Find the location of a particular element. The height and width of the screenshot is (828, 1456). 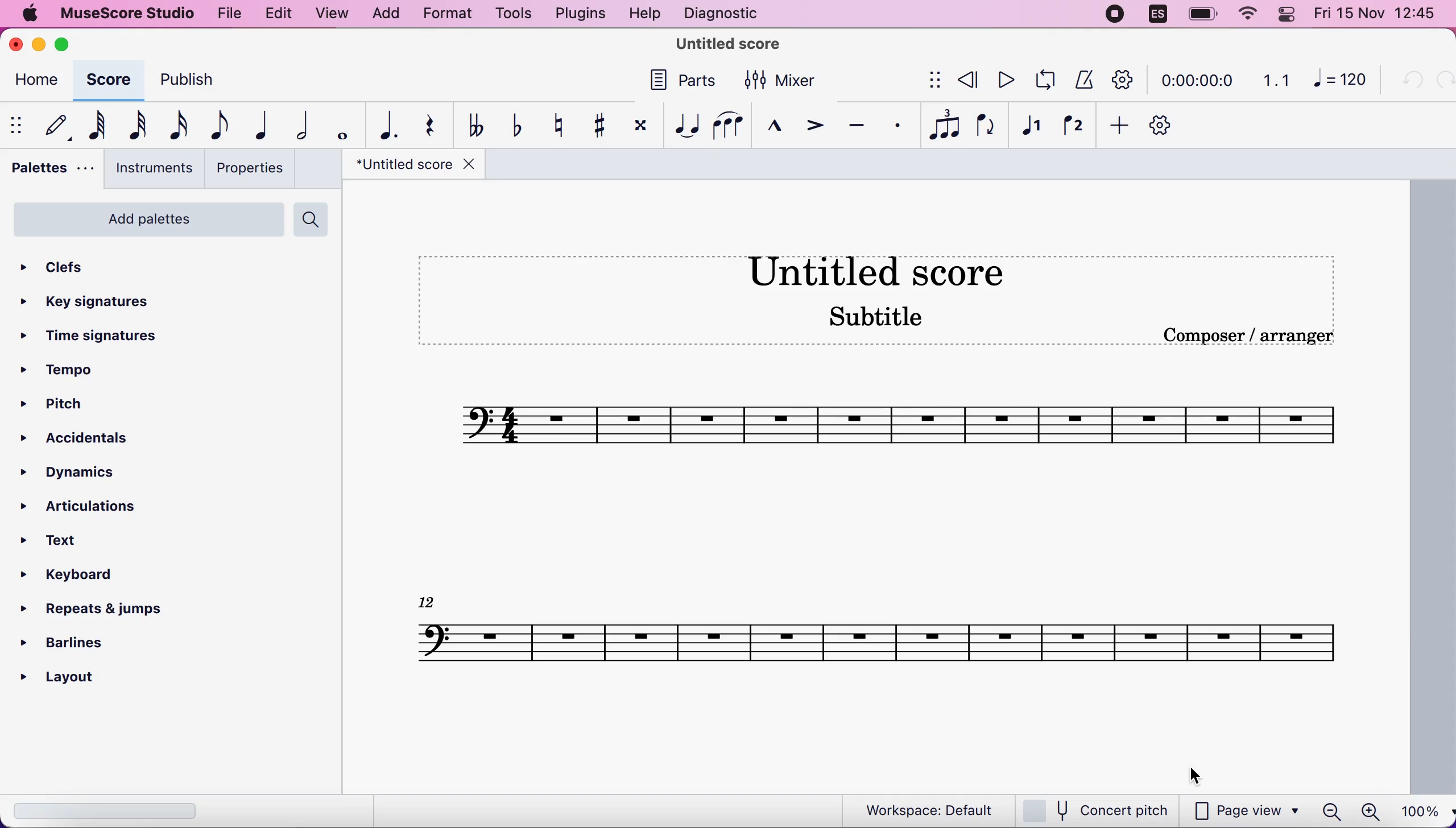

musescore studio is located at coordinates (129, 13).